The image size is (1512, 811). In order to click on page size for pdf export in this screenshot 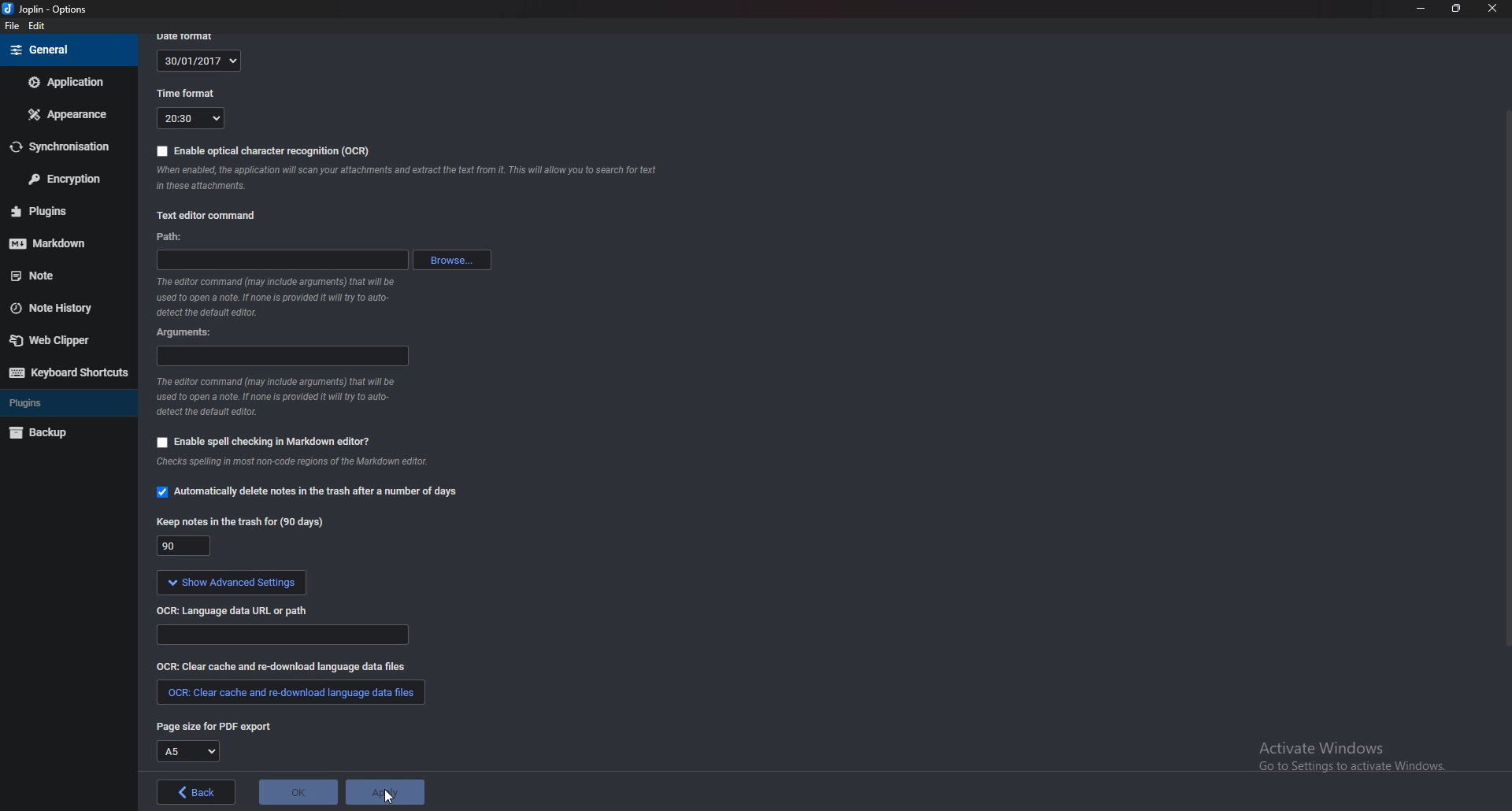, I will do `click(213, 726)`.